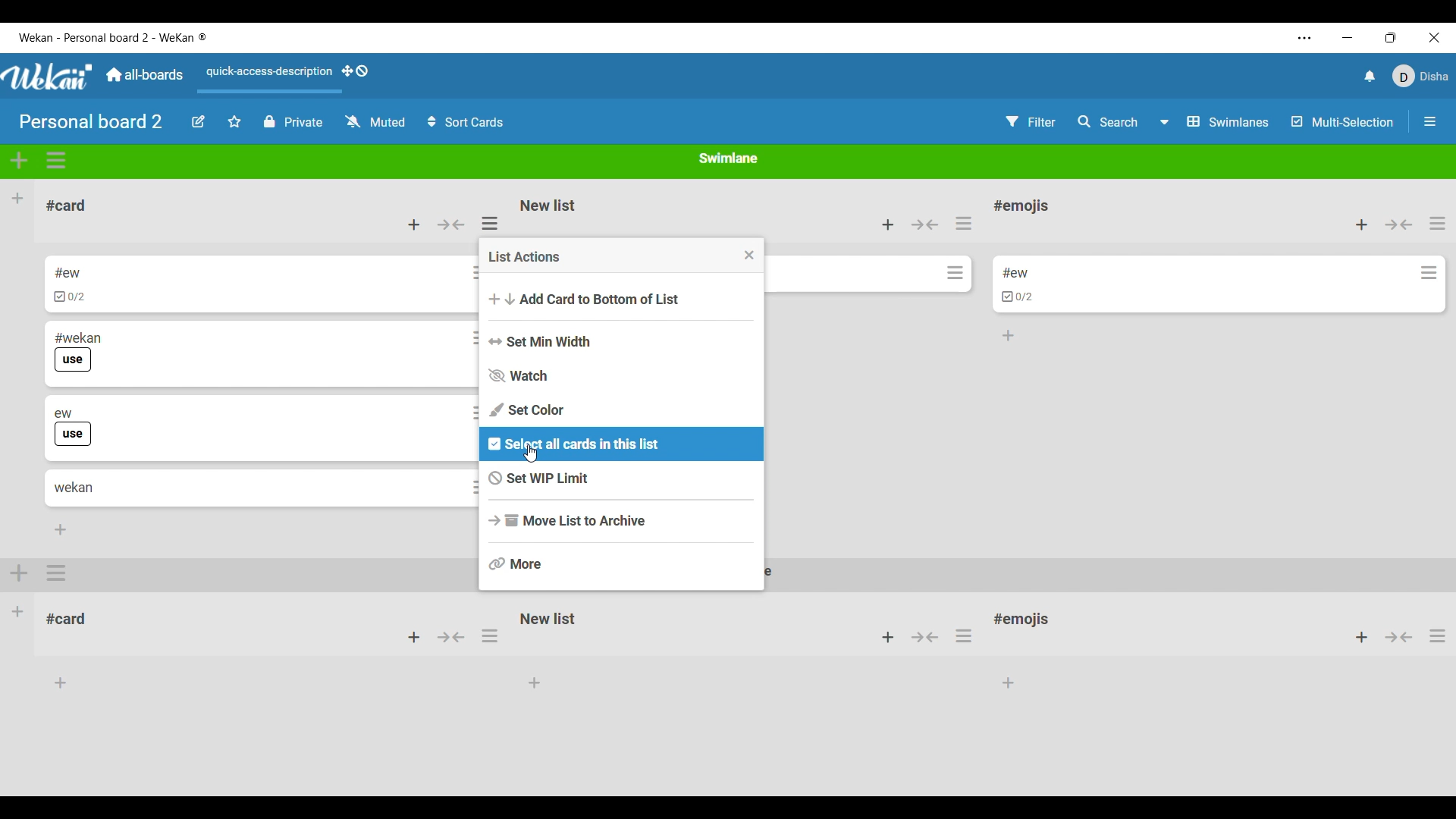 Image resolution: width=1456 pixels, height=819 pixels. What do you see at coordinates (267, 78) in the screenshot?
I see `Quick access description` at bounding box center [267, 78].